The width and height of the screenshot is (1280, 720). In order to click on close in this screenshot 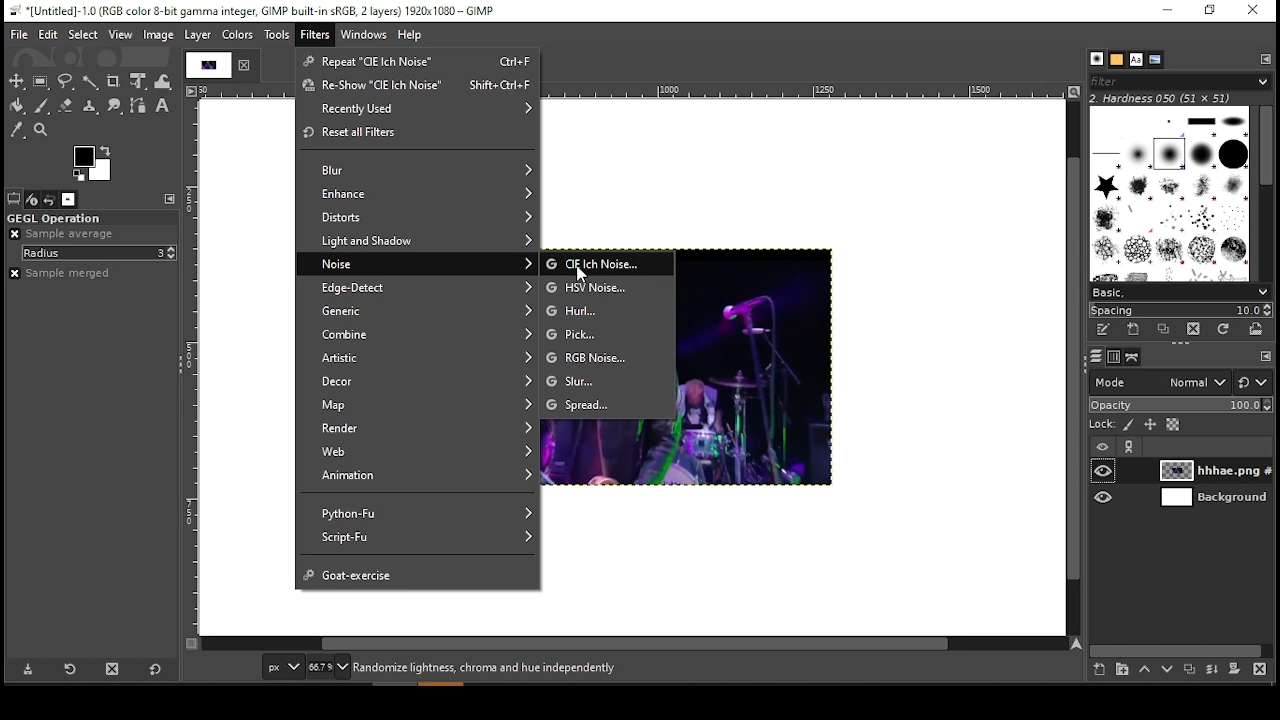, I will do `click(245, 65)`.